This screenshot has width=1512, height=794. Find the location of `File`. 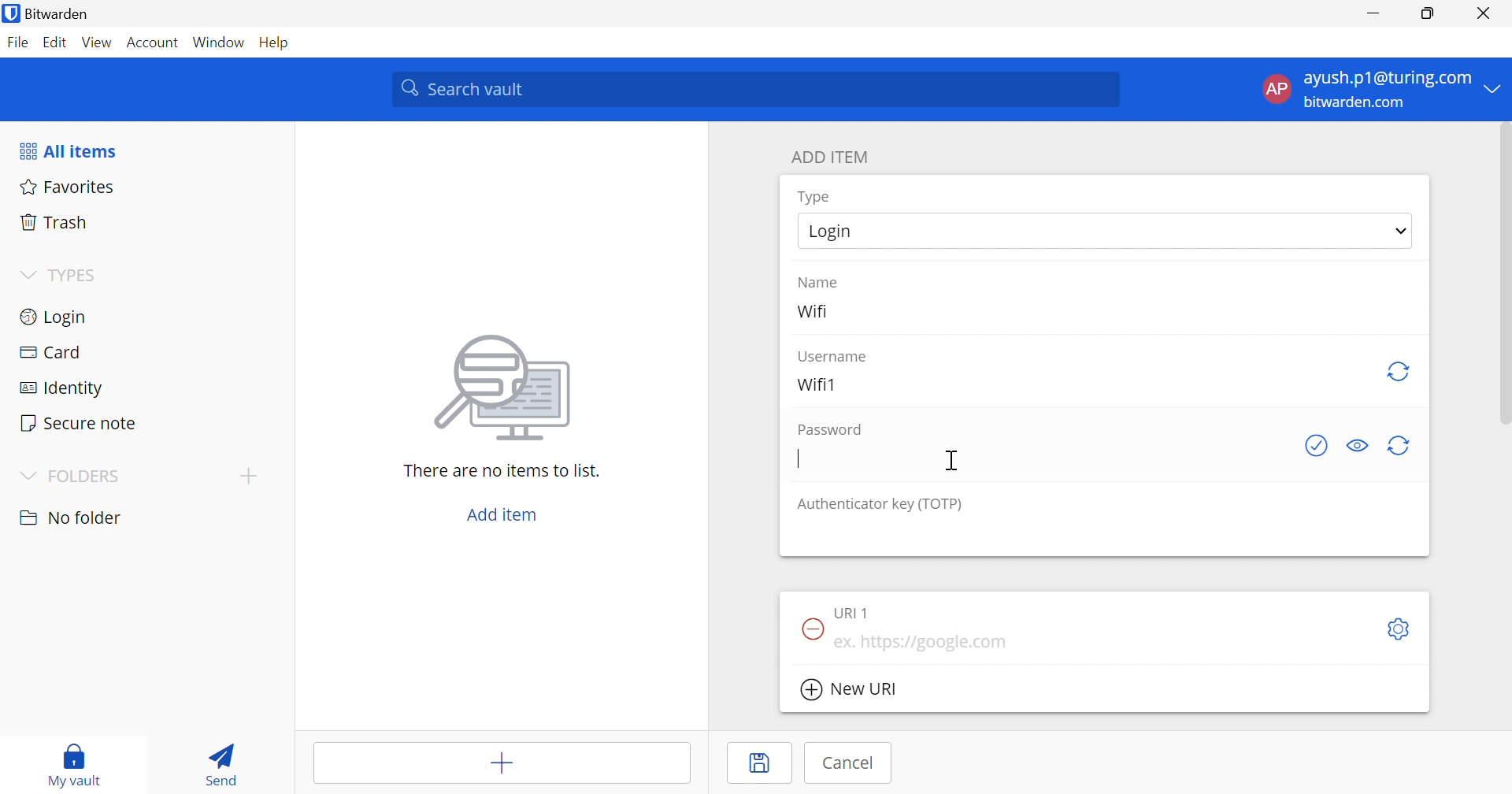

File is located at coordinates (17, 42).